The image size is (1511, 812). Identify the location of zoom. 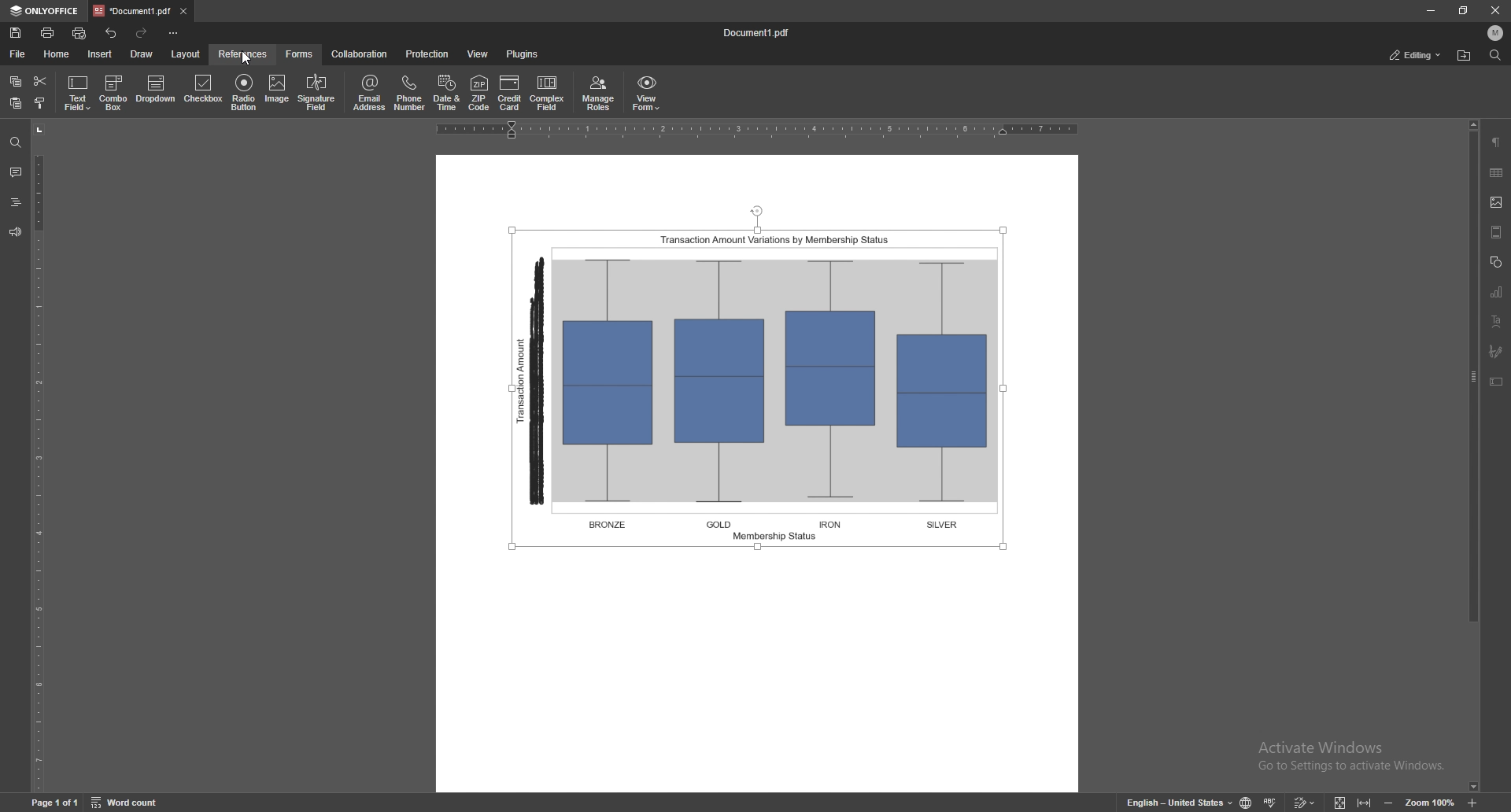
(1430, 801).